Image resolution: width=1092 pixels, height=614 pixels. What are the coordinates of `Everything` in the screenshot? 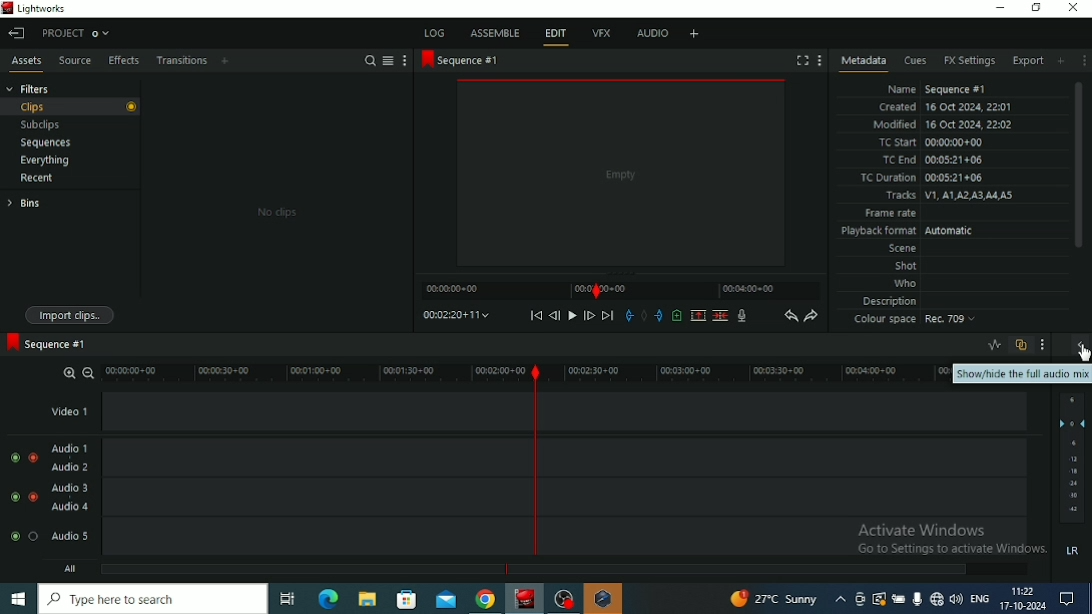 It's located at (44, 160).